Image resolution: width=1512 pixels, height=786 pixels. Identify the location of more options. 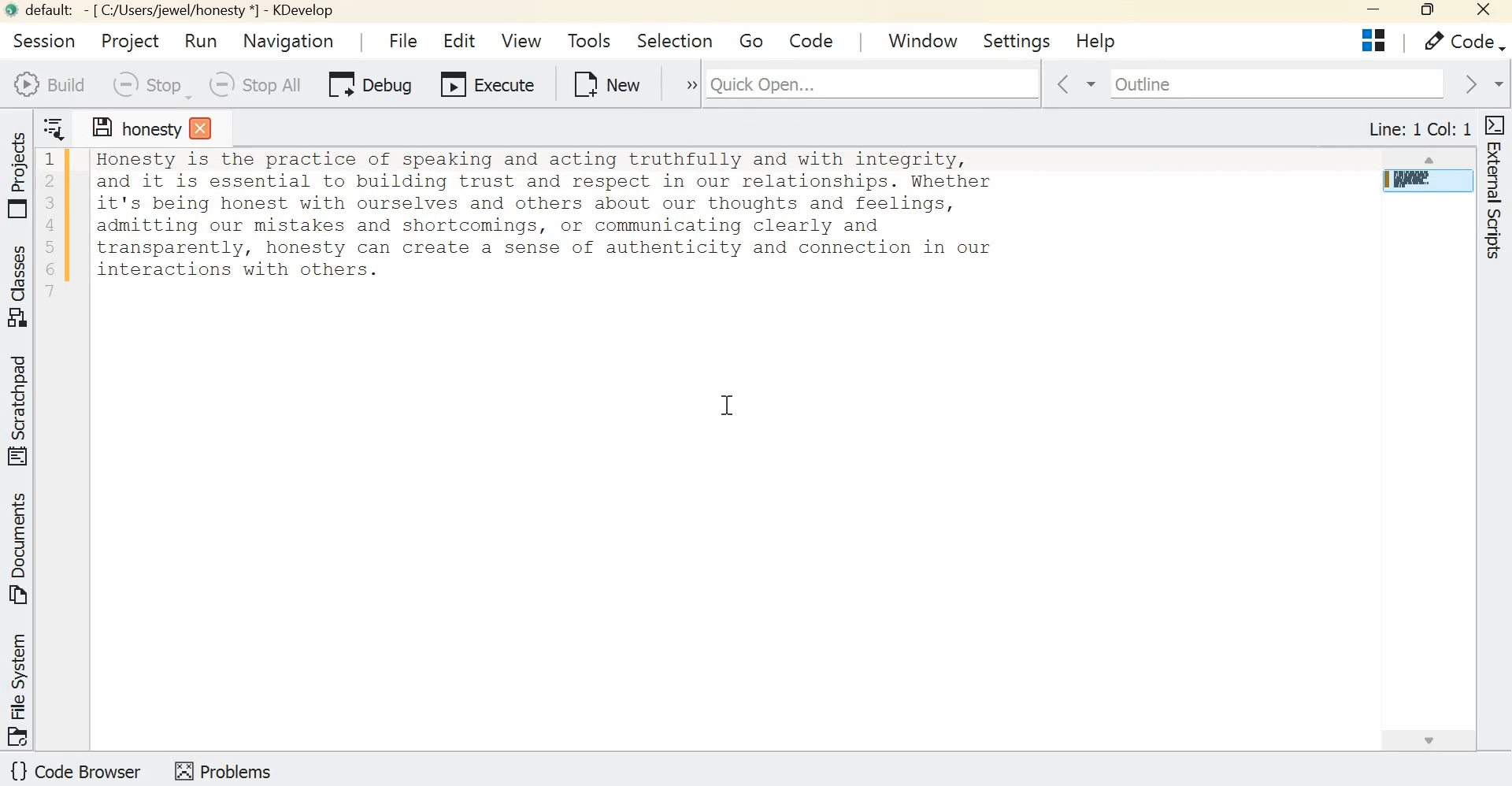
(680, 85).